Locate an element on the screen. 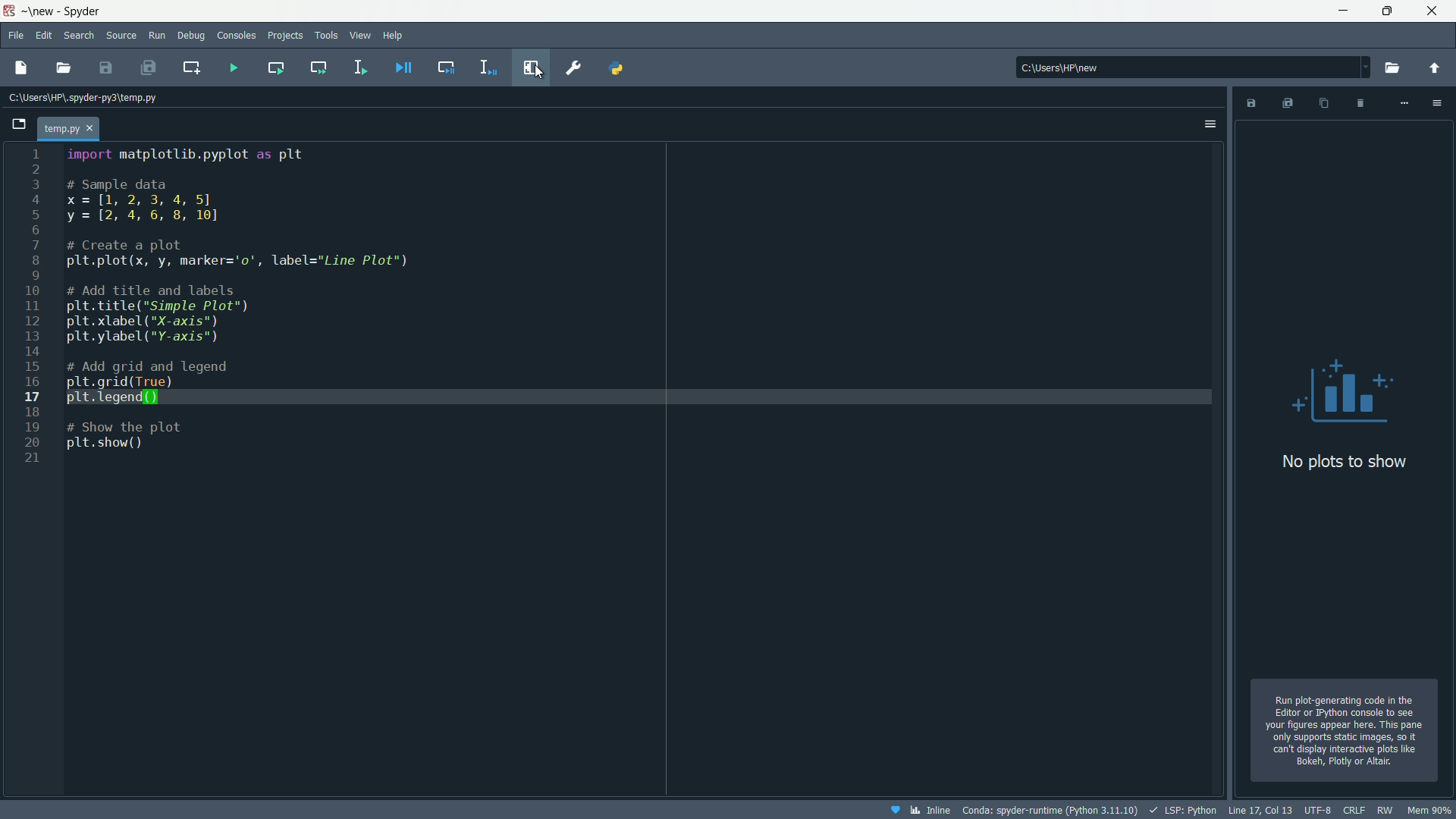 This screenshot has width=1456, height=819. help is located at coordinates (394, 35).